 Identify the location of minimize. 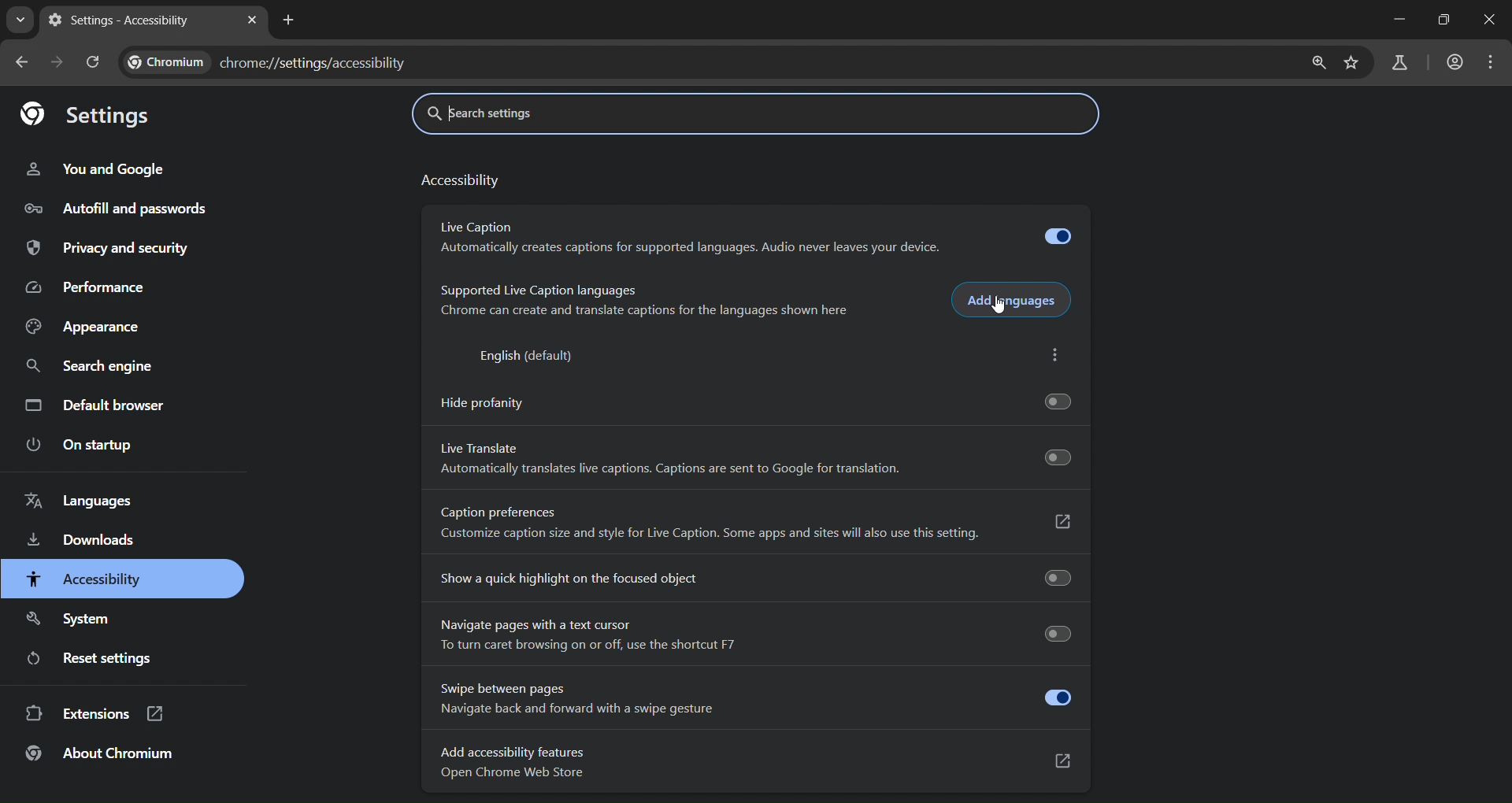
(1398, 21).